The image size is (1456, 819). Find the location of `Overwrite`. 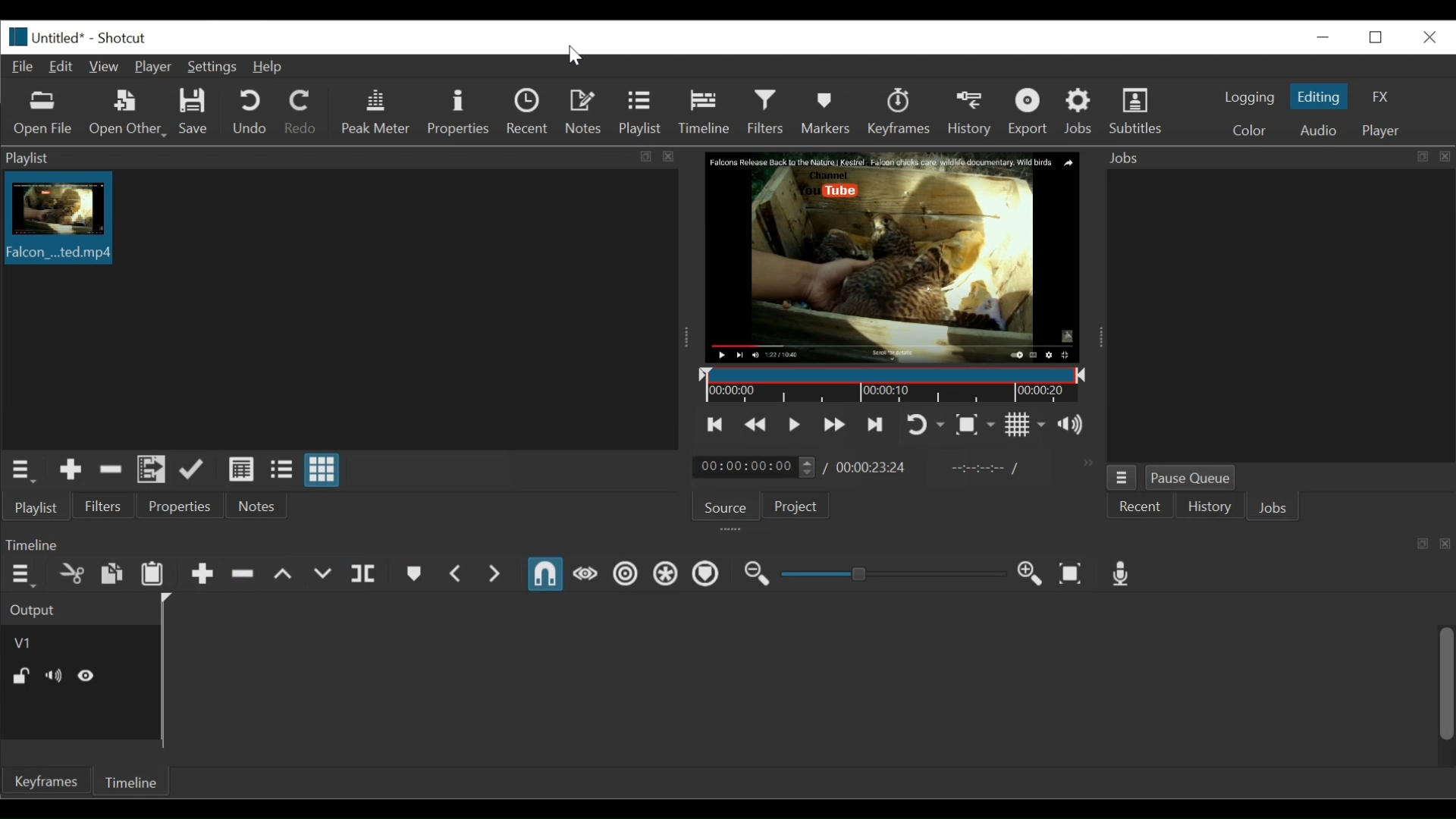

Overwrite is located at coordinates (322, 576).